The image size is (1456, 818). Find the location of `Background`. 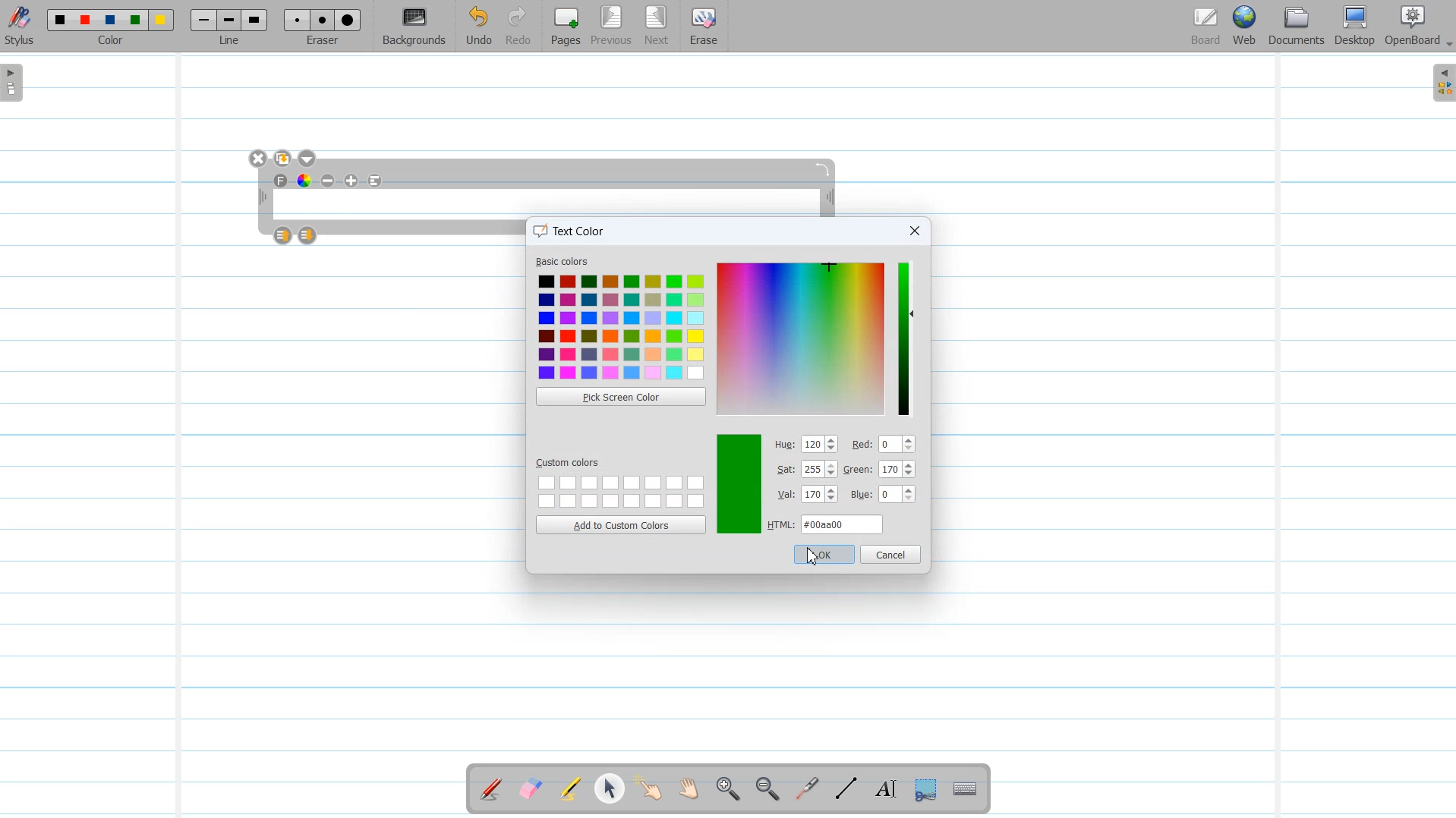

Background is located at coordinates (415, 27).